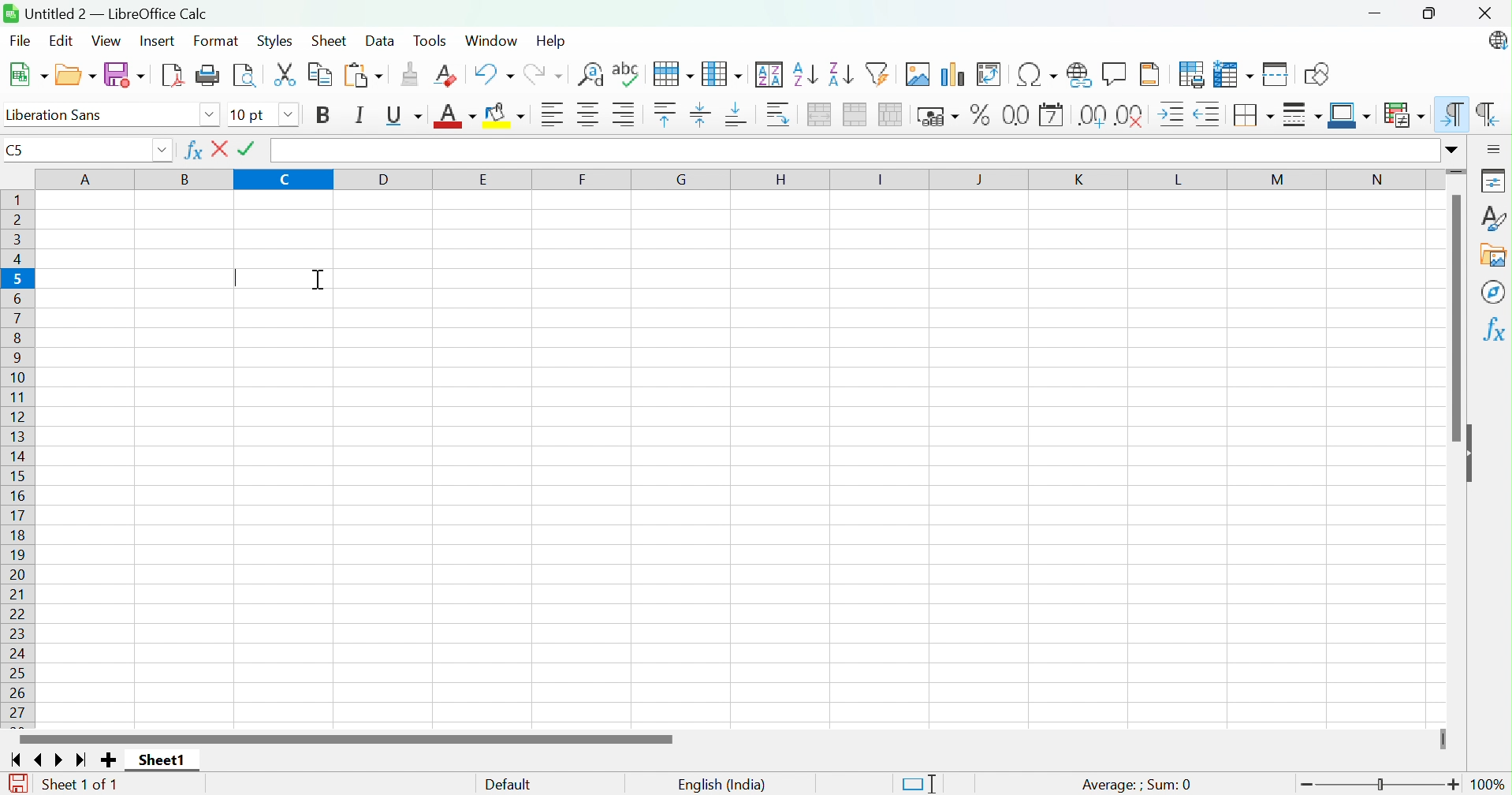 Image resolution: width=1512 pixels, height=795 pixels. I want to click on Sheet, so click(328, 40).